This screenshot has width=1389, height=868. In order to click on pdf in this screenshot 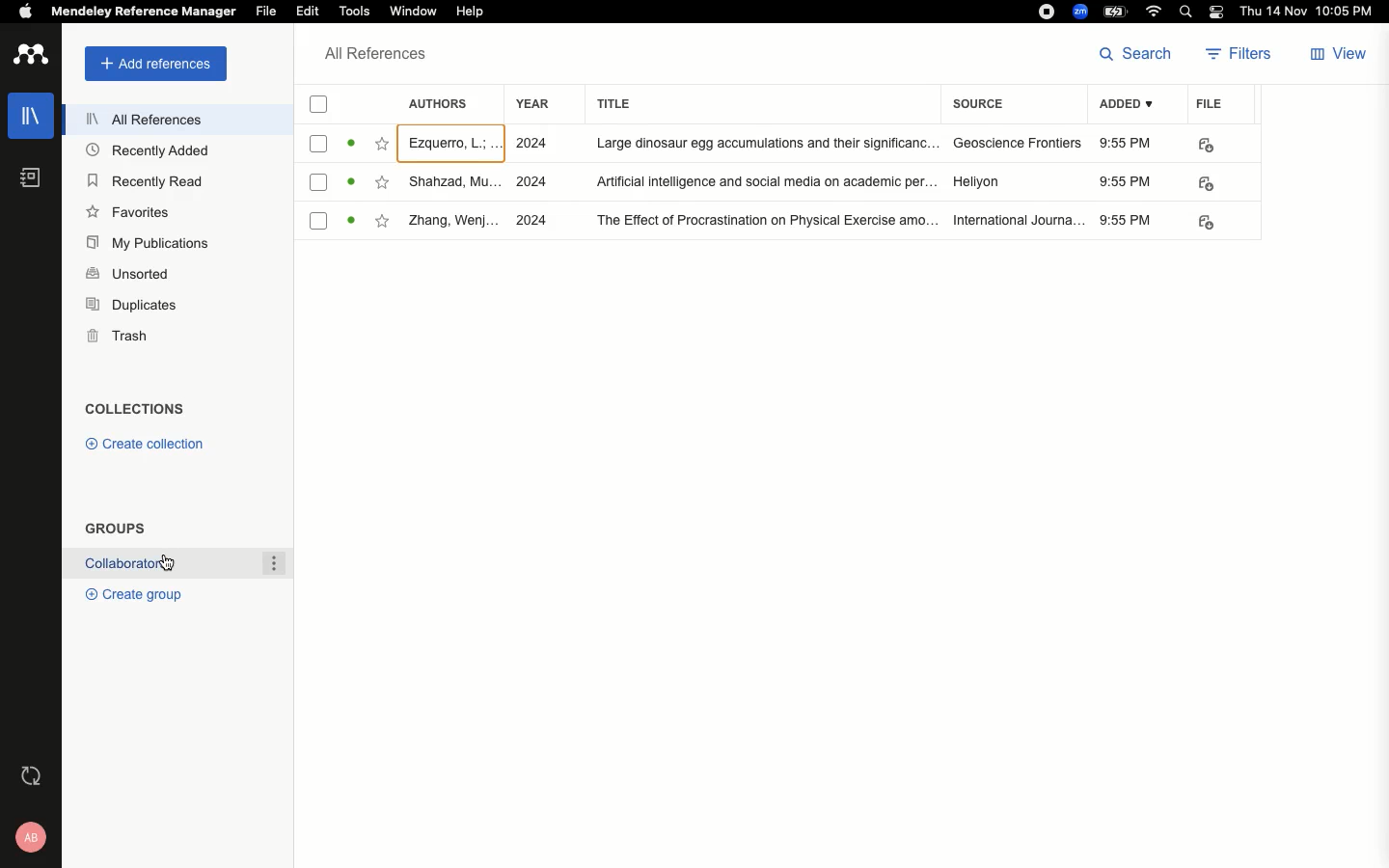, I will do `click(1208, 183)`.